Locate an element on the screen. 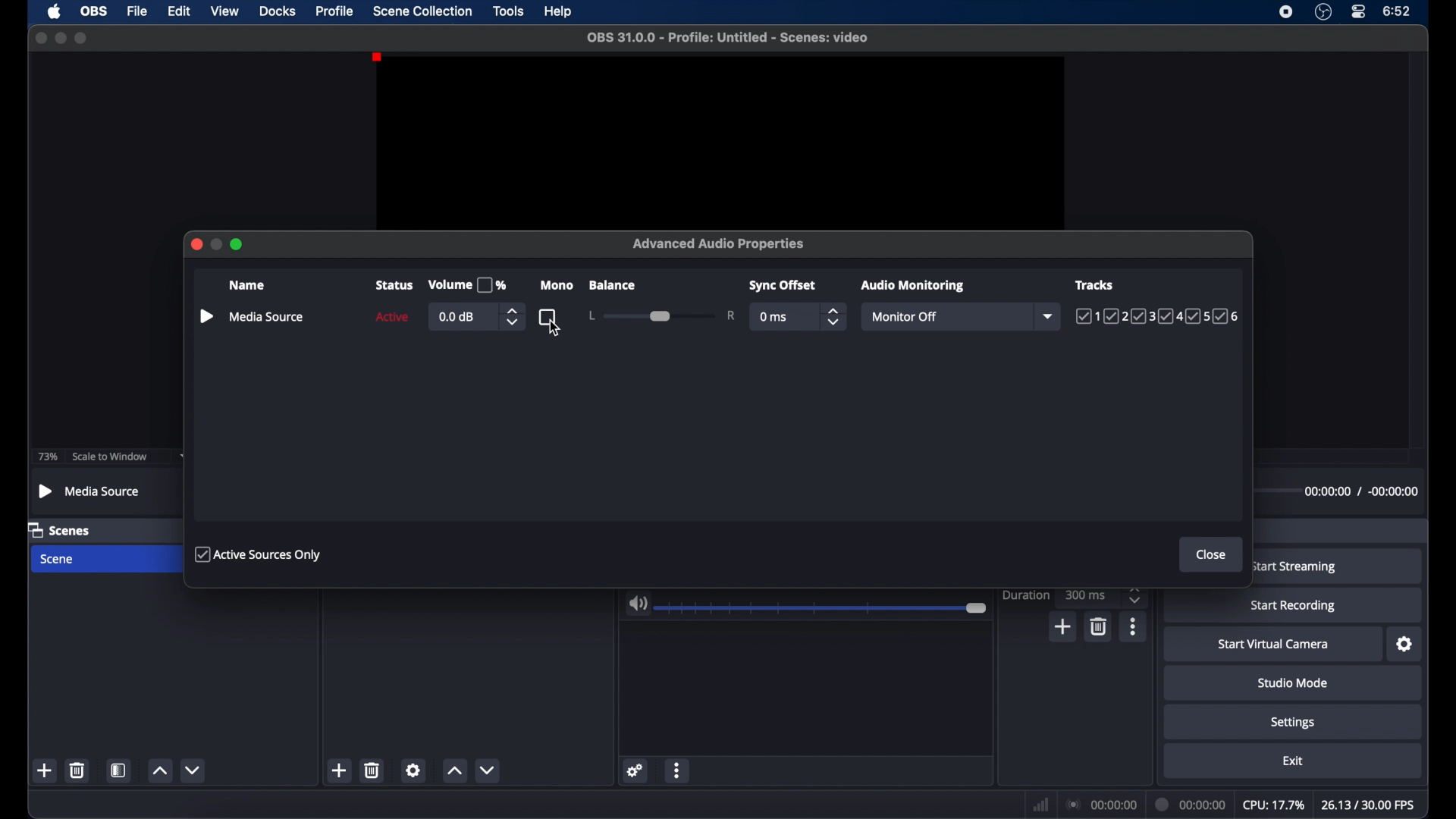 The image size is (1456, 819). 300 ms is located at coordinates (1086, 595).